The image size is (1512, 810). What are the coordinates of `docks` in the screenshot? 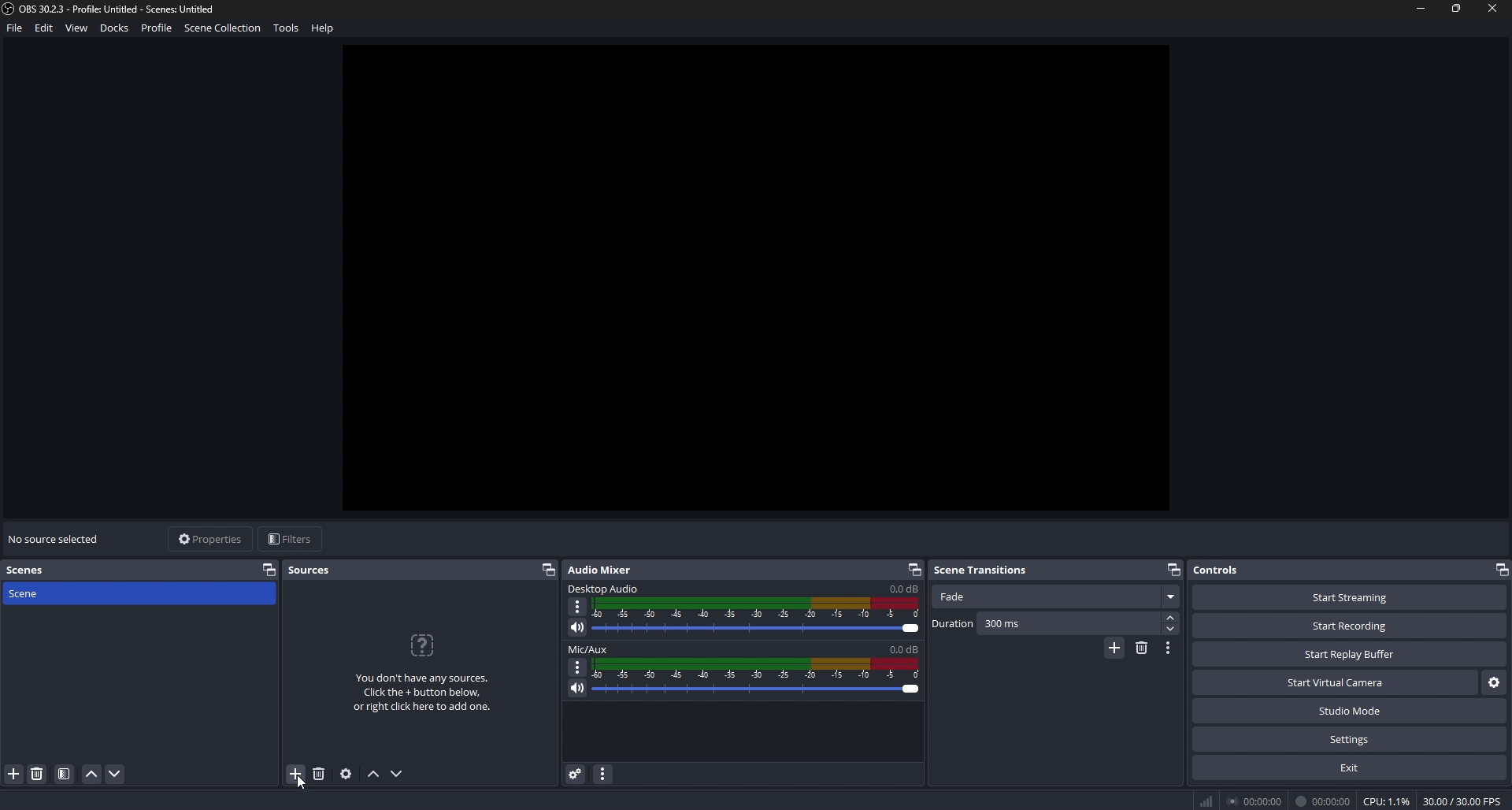 It's located at (115, 28).